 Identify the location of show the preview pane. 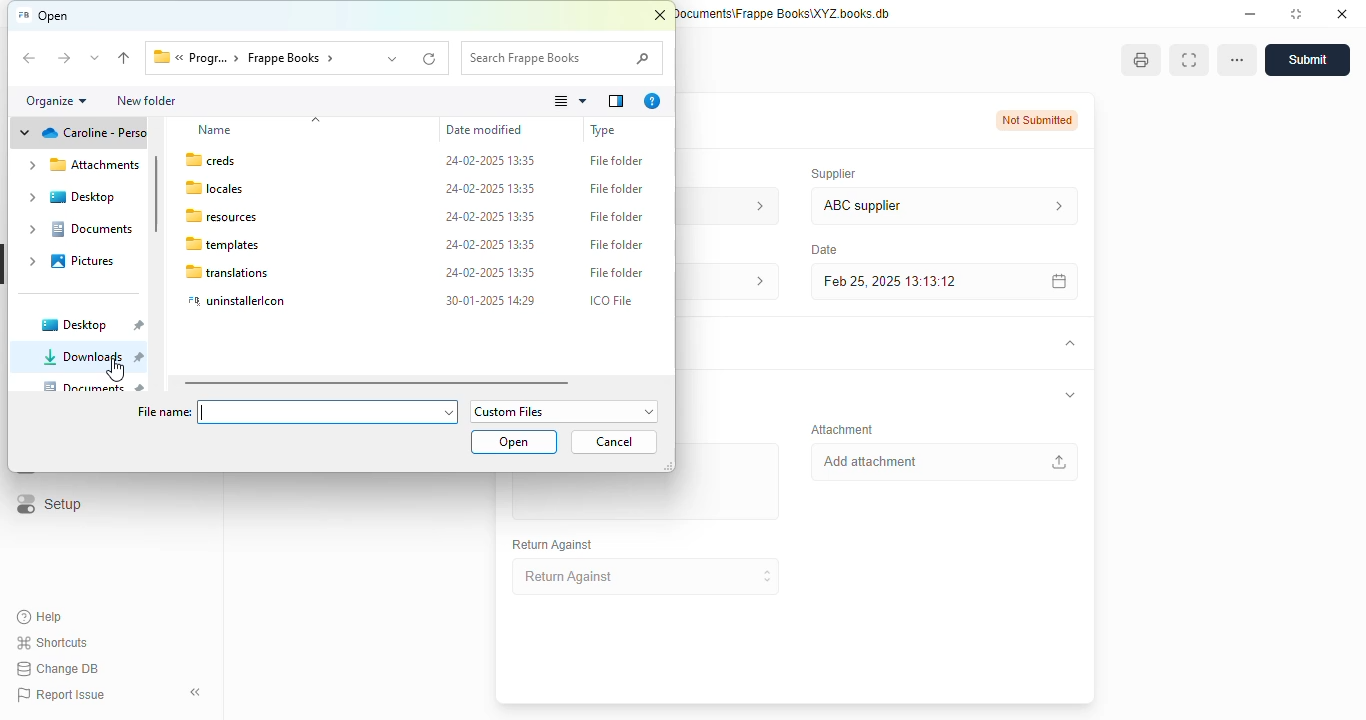
(616, 101).